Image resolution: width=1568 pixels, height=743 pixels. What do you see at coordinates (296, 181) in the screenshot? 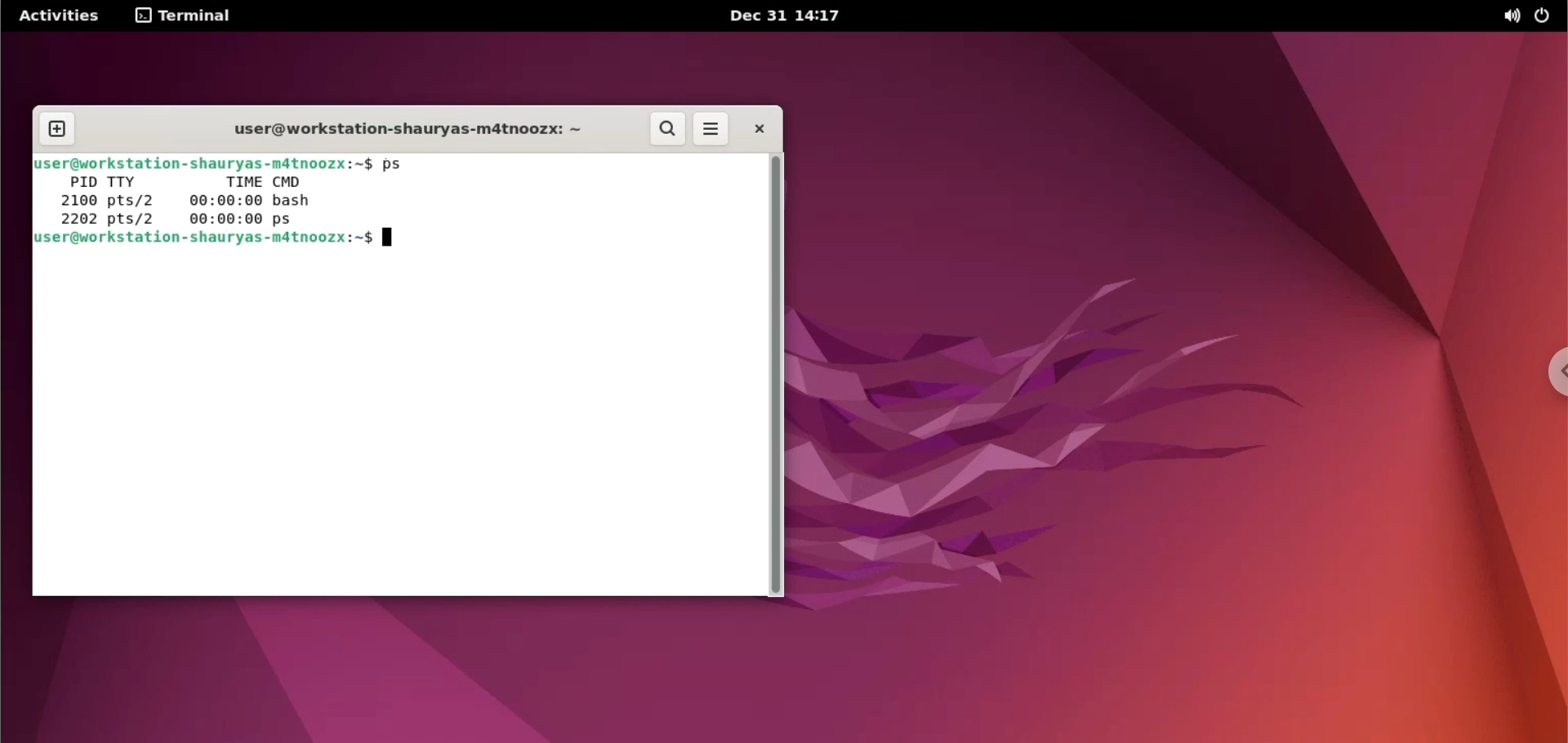
I see `CMD ` at bounding box center [296, 181].